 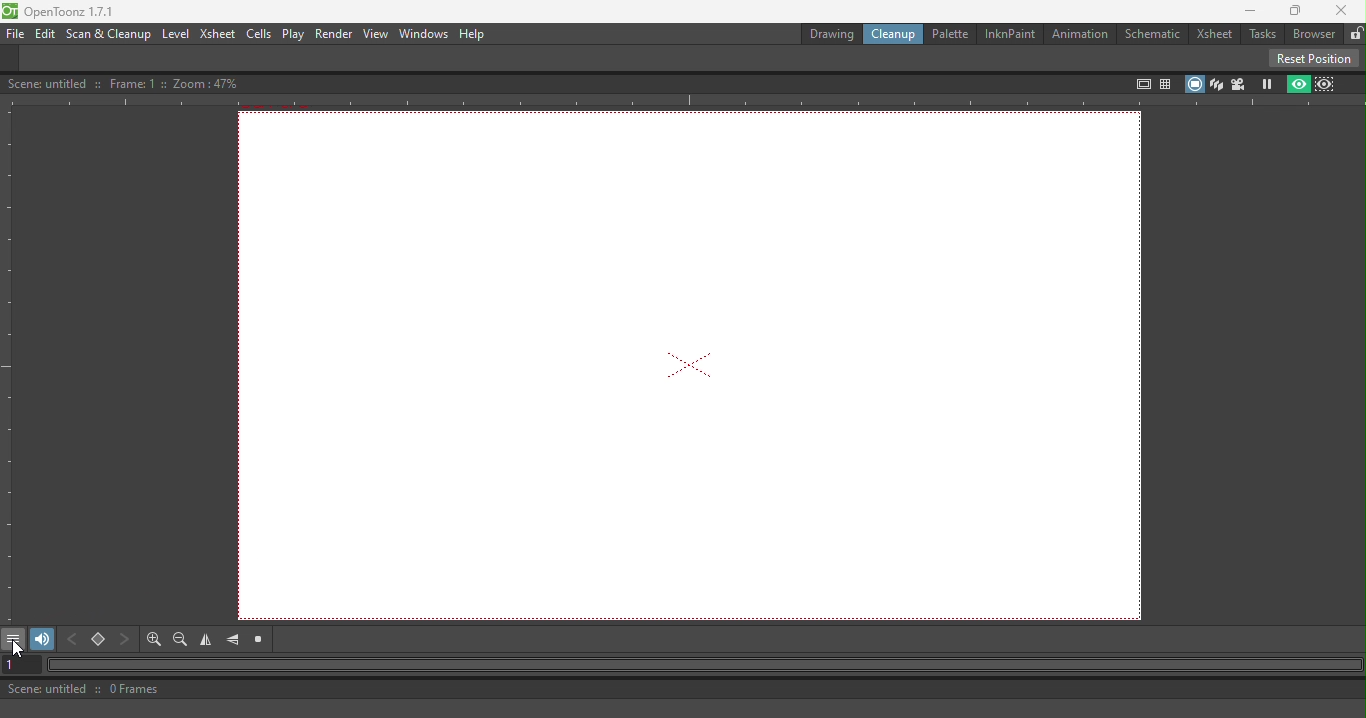 I want to click on cursor, so click(x=19, y=648).